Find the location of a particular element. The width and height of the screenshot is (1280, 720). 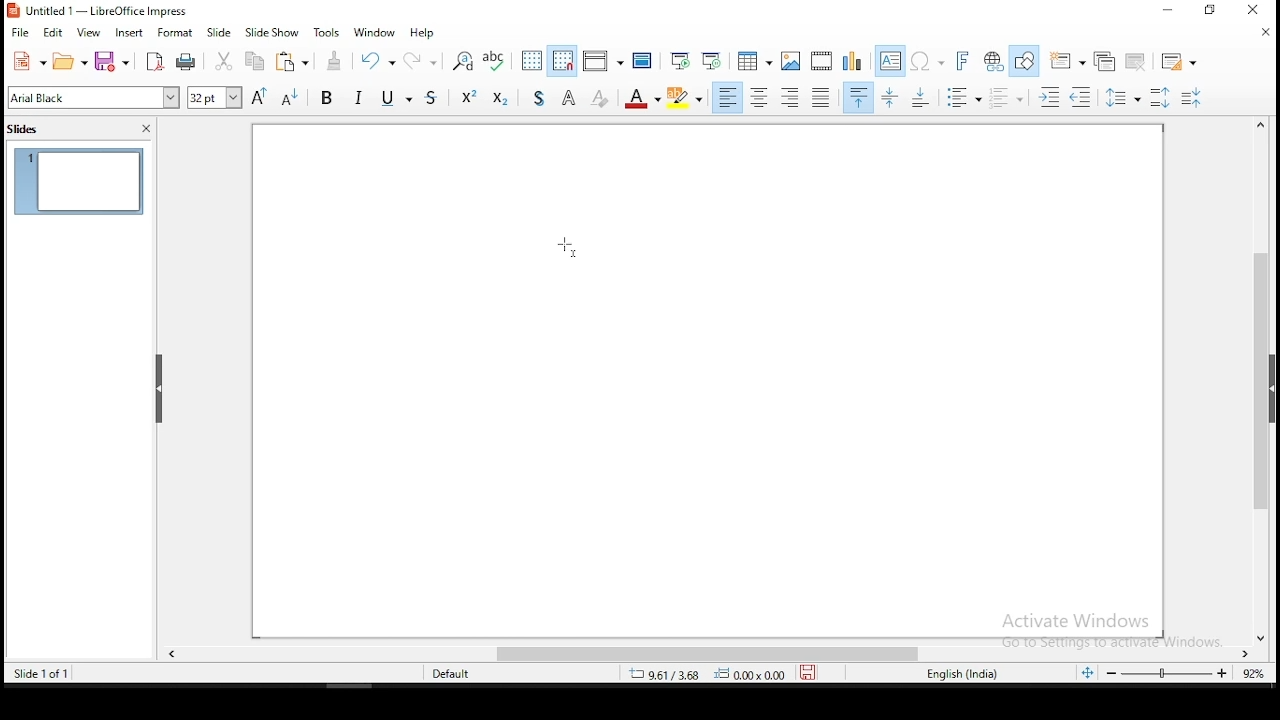

export as pdf is located at coordinates (154, 62).